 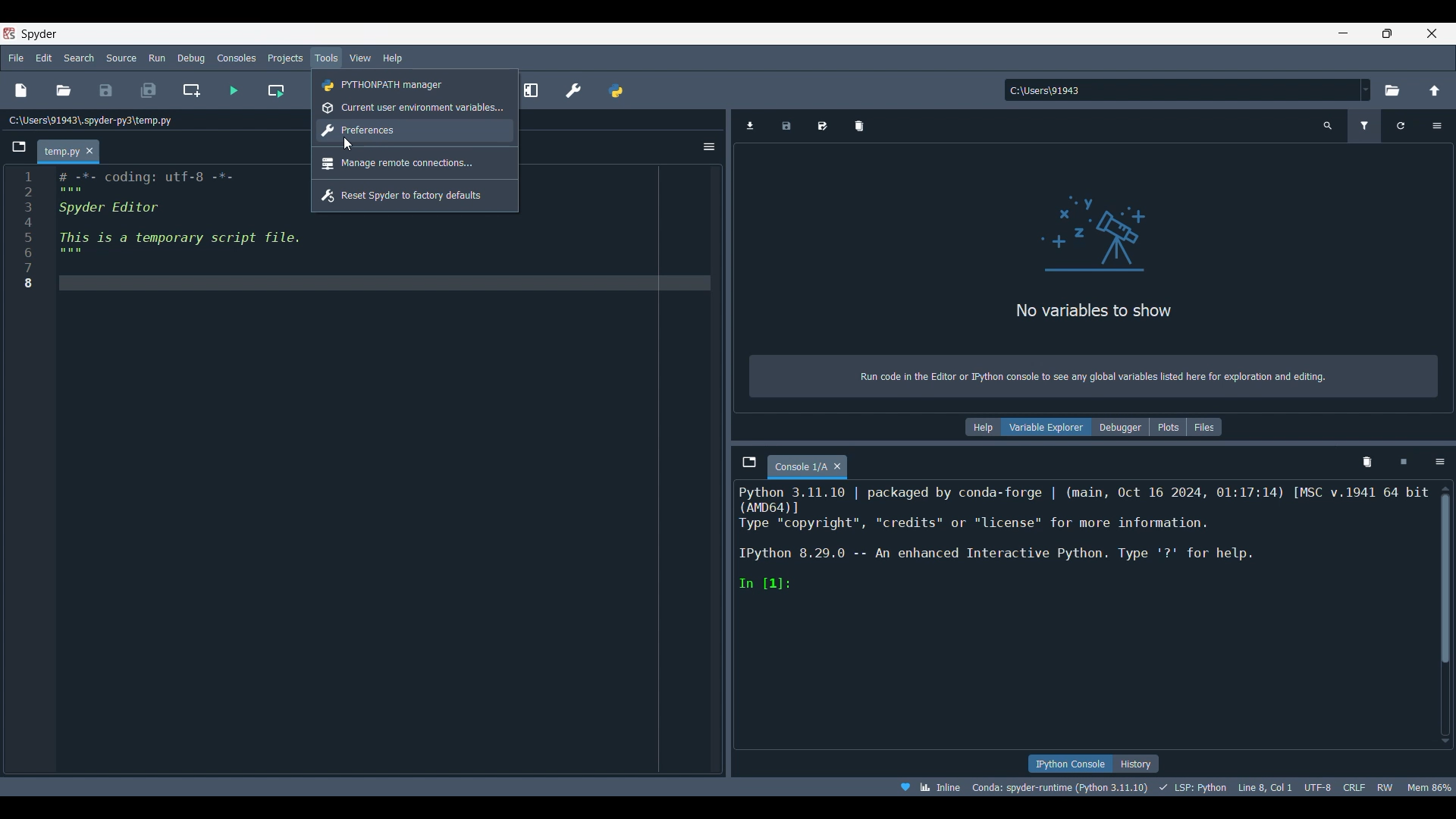 What do you see at coordinates (105, 90) in the screenshot?
I see `Save` at bounding box center [105, 90].